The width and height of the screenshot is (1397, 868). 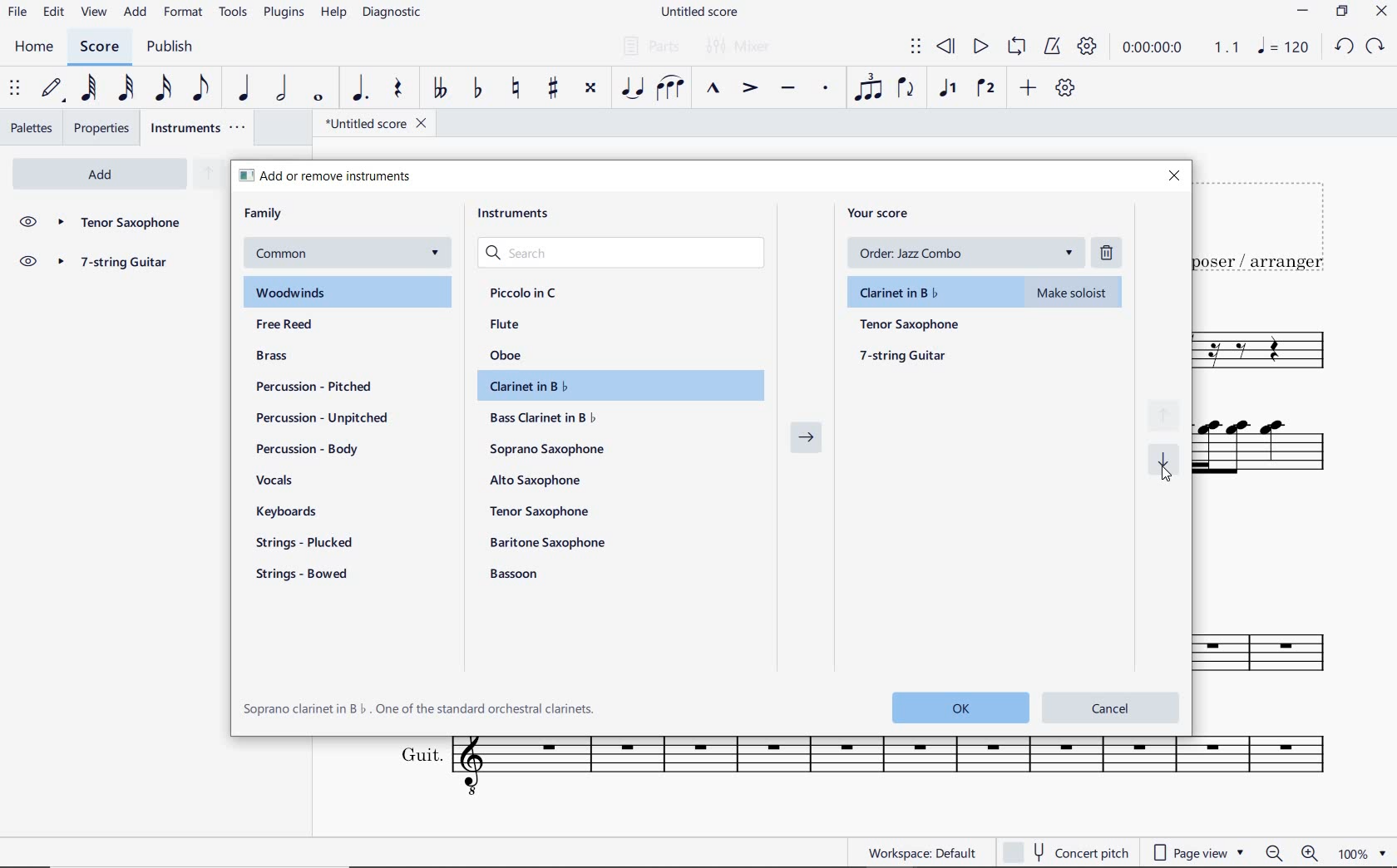 I want to click on PUBLISH, so click(x=167, y=47).